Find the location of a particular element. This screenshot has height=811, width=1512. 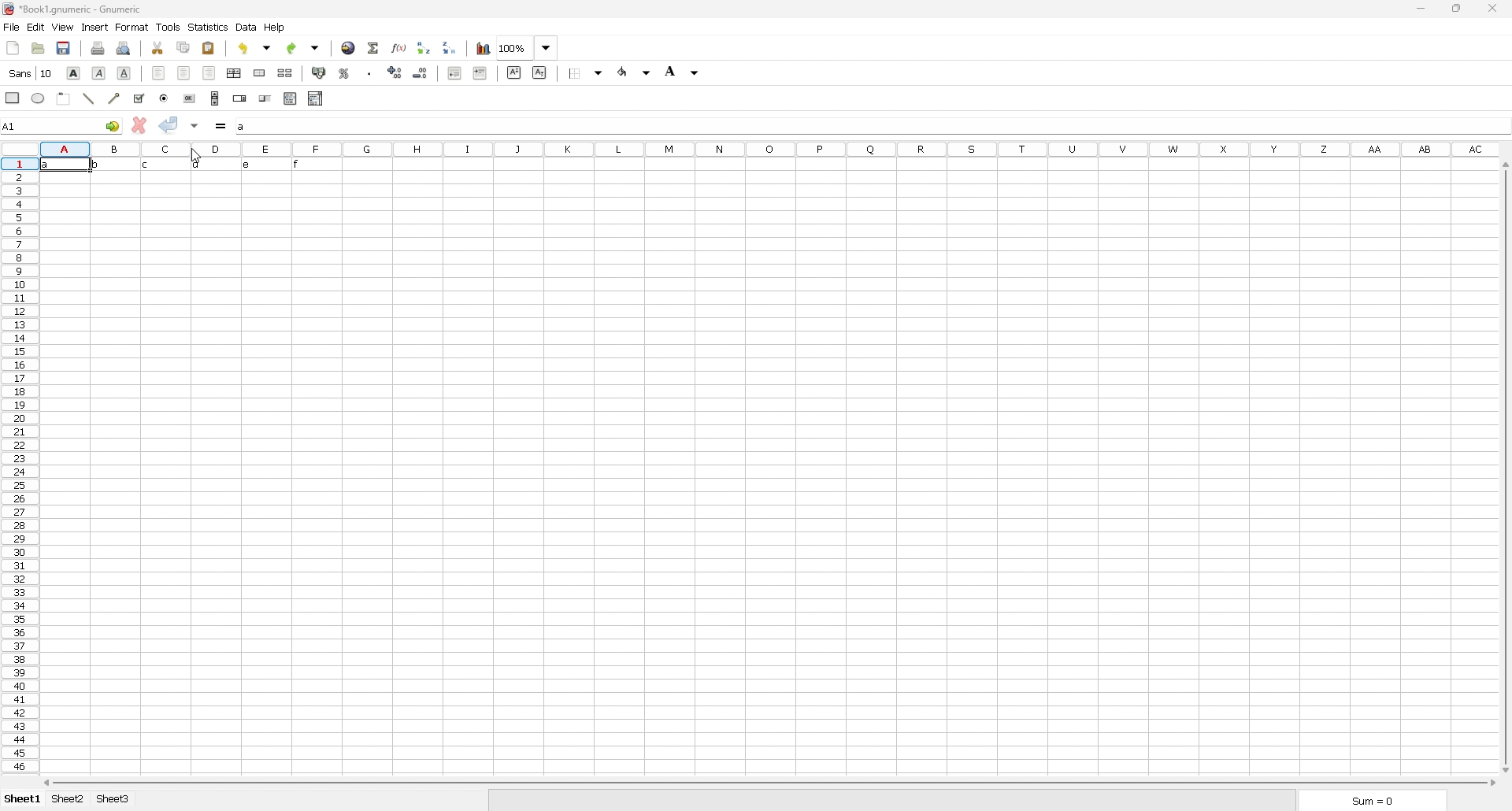

cut is located at coordinates (158, 47).